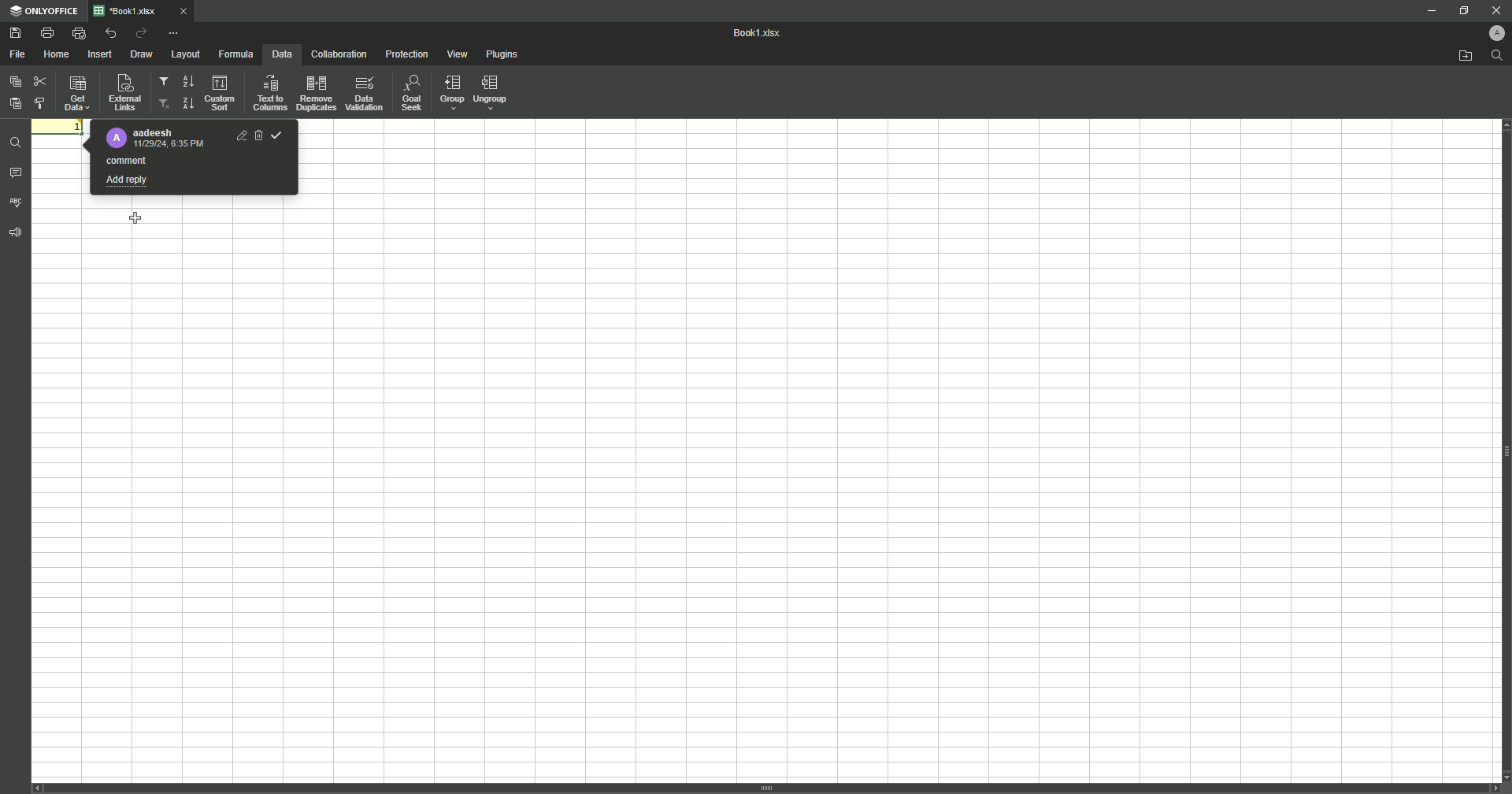 Image resolution: width=1512 pixels, height=794 pixels. I want to click on Data, so click(280, 54).